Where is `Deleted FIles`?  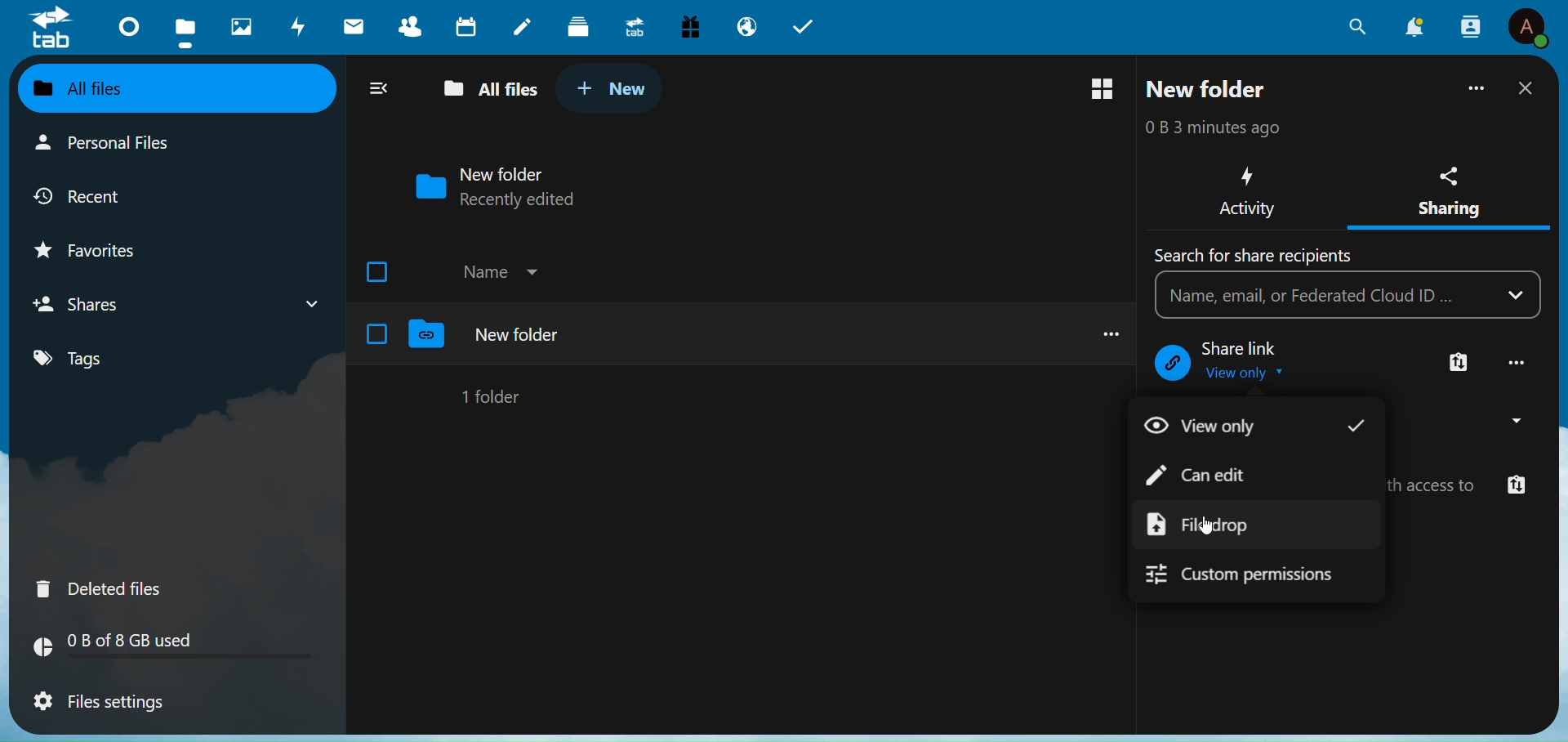 Deleted FIles is located at coordinates (109, 586).